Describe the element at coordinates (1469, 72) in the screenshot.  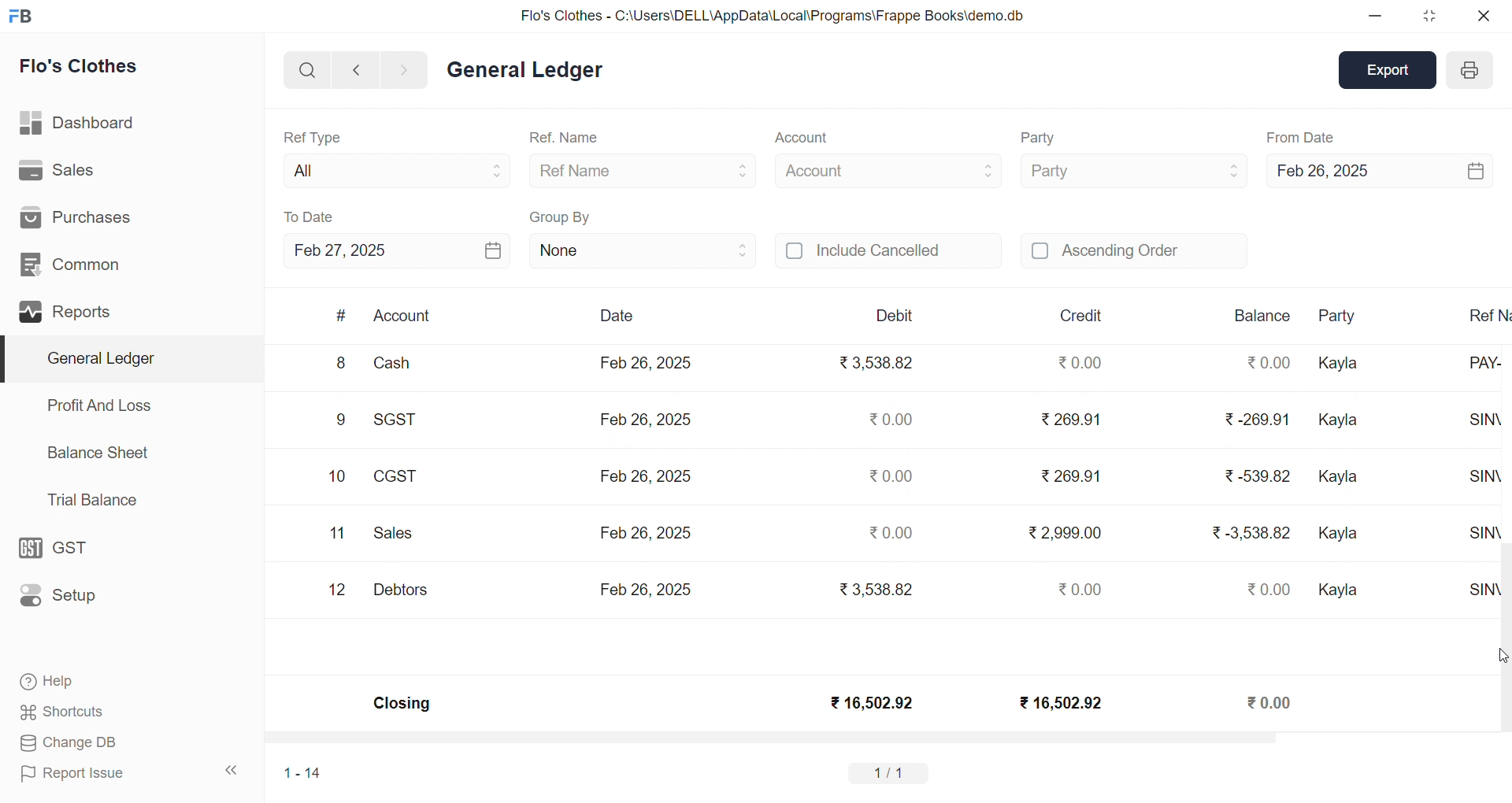
I see `PRINT` at that location.